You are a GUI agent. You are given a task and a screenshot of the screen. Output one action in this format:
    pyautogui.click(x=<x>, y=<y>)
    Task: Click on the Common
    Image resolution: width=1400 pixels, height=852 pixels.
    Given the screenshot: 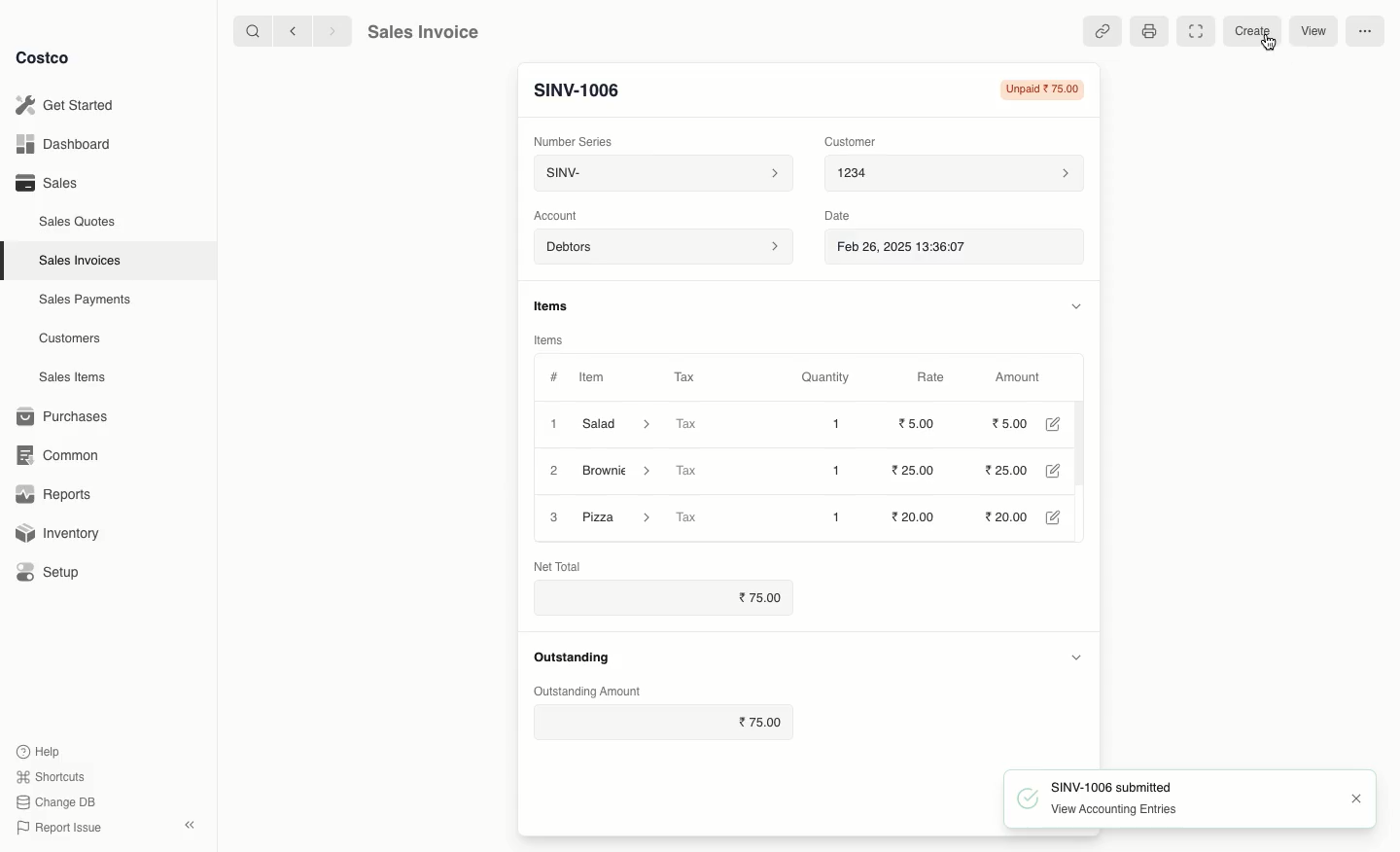 What is the action you would take?
    pyautogui.click(x=66, y=455)
    